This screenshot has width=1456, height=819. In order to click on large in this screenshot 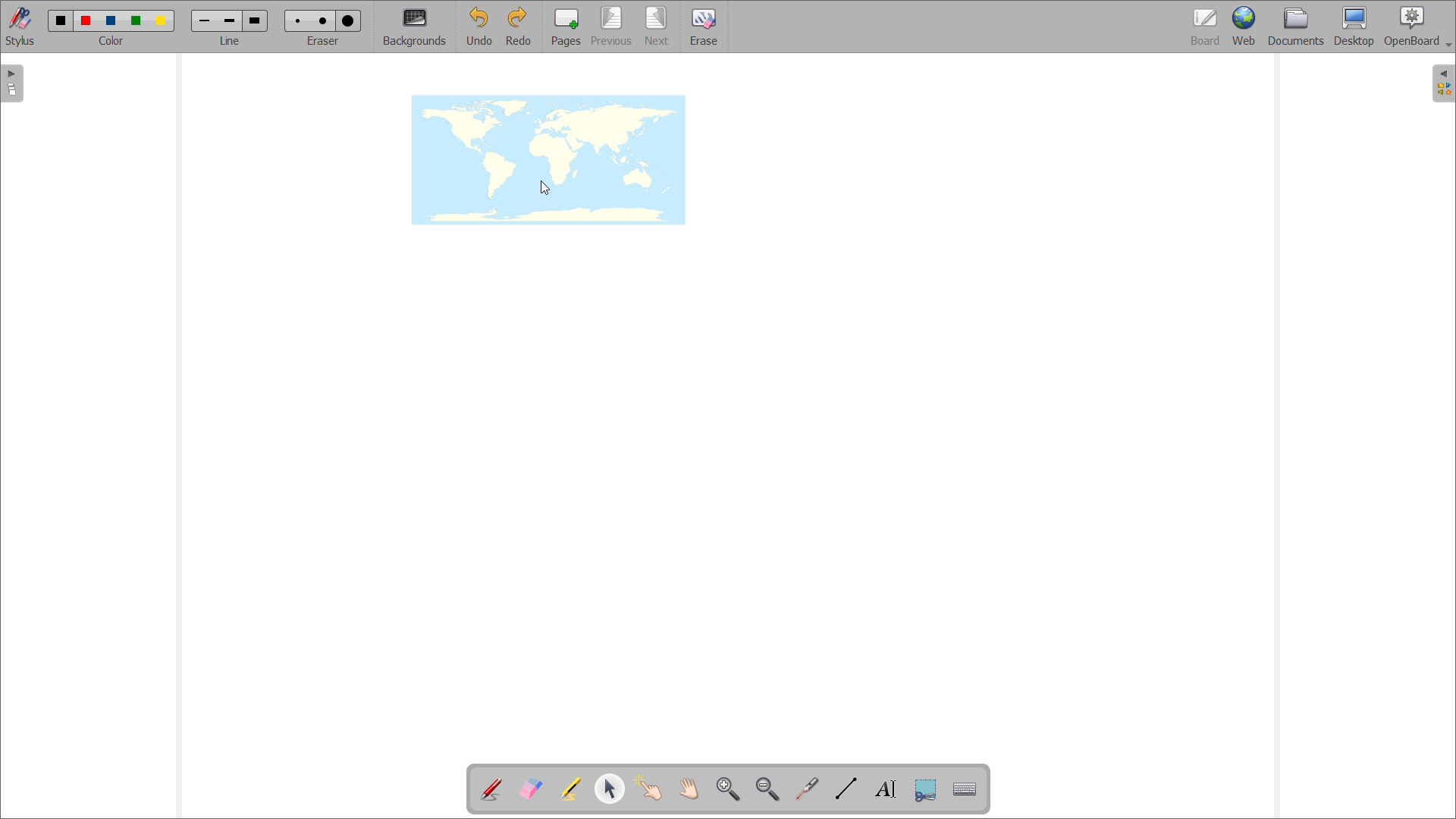, I will do `click(256, 20)`.